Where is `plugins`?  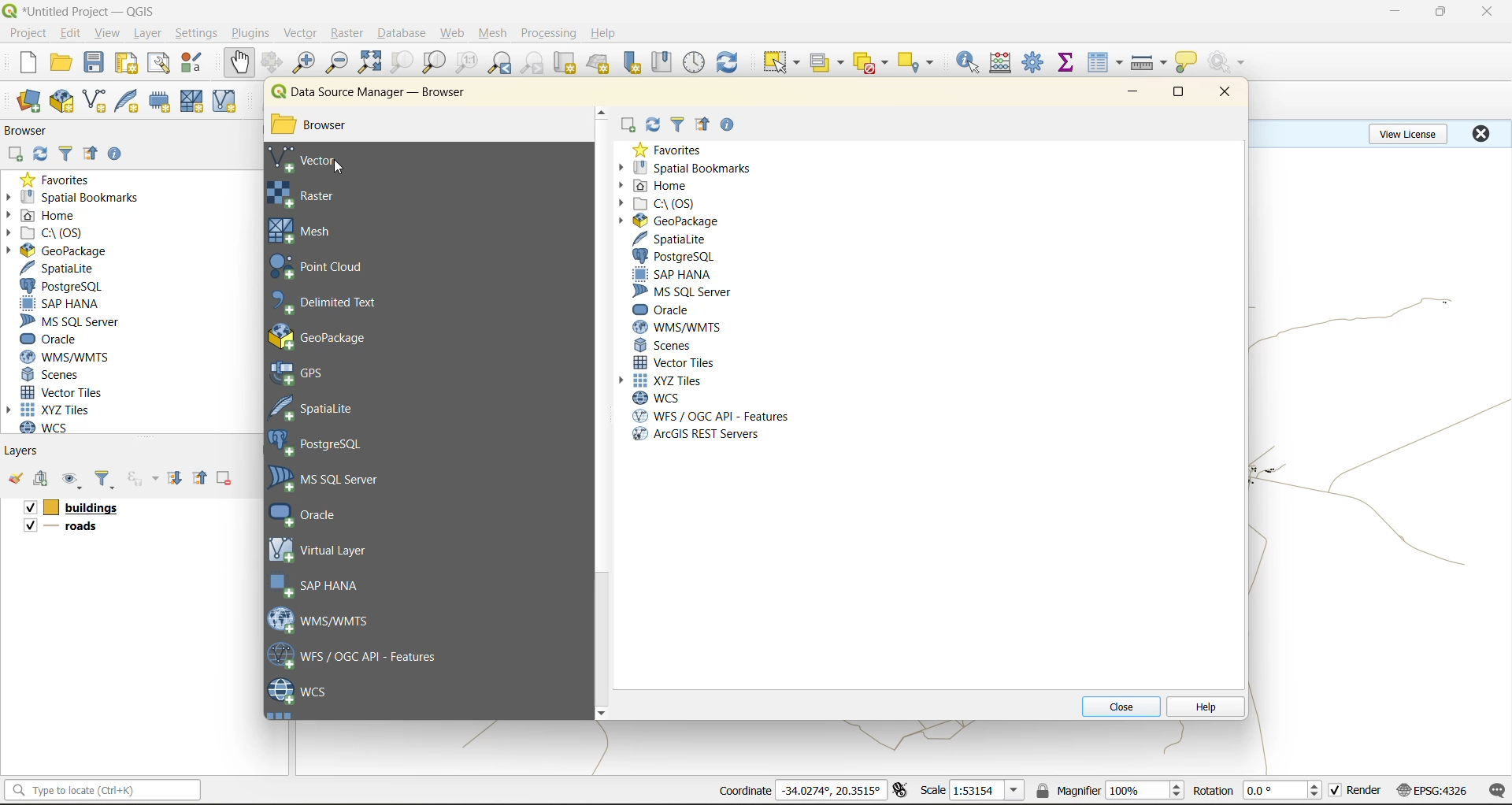
plugins is located at coordinates (254, 32).